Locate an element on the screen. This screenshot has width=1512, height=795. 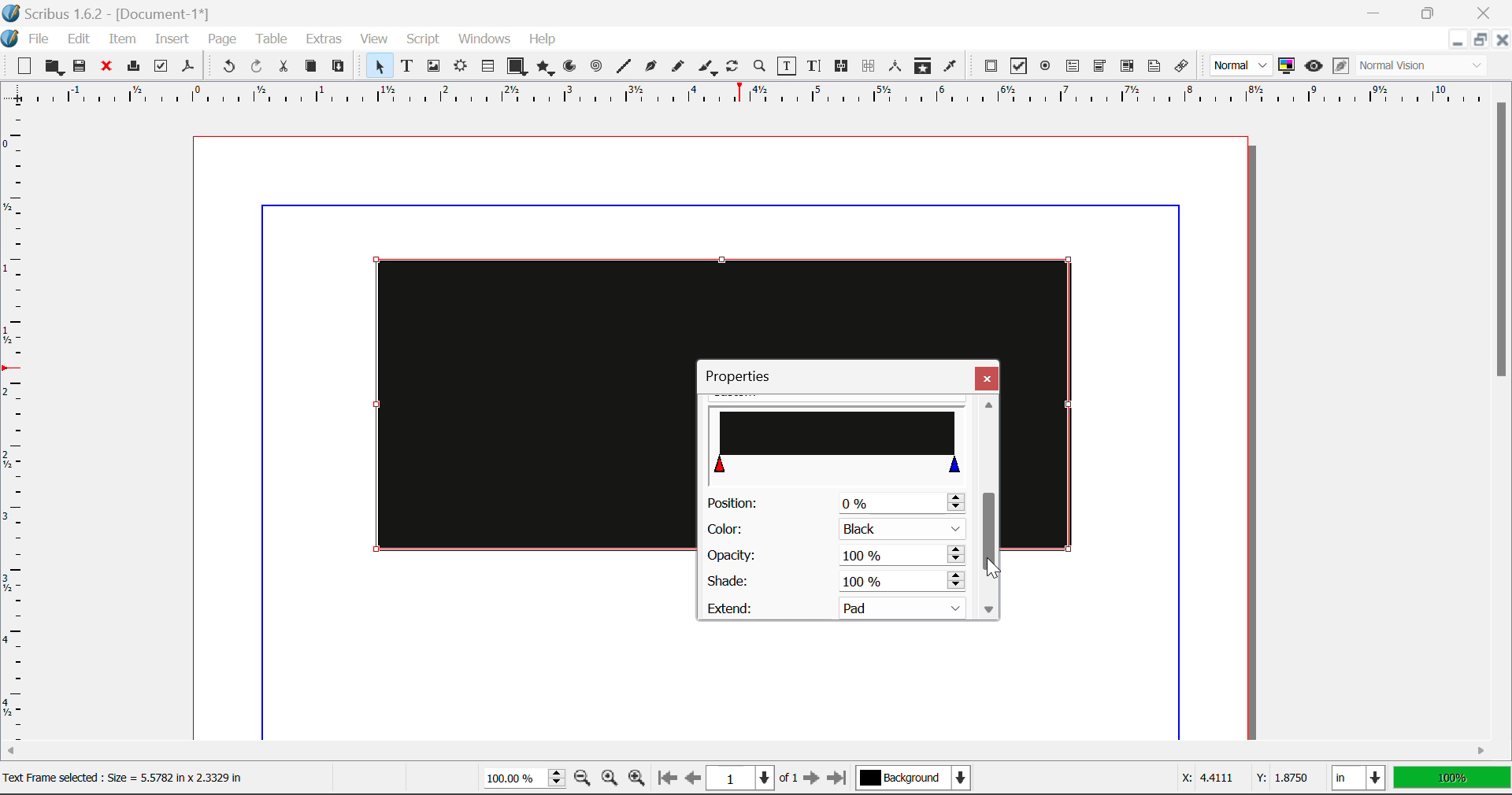
PDF Push Button is located at coordinates (991, 65).